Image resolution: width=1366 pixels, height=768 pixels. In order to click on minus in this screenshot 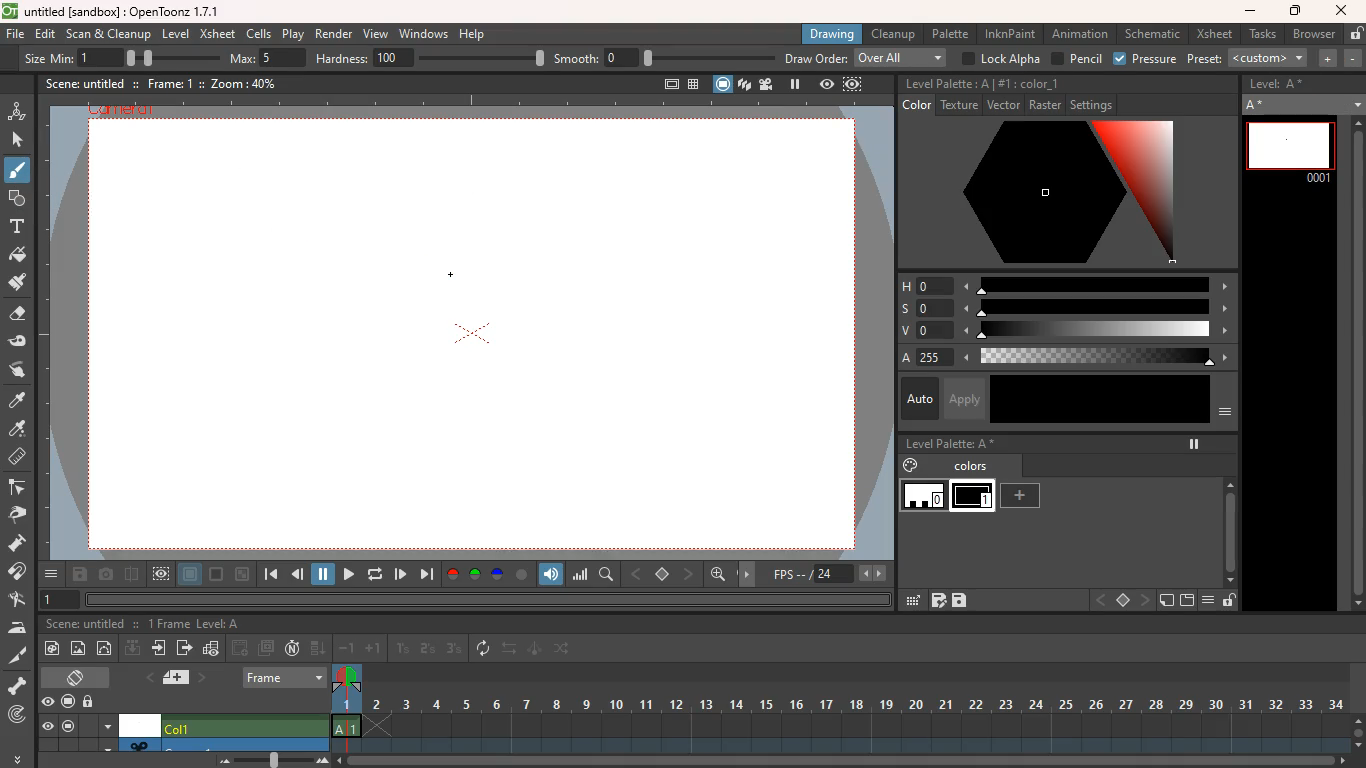, I will do `click(1353, 58)`.